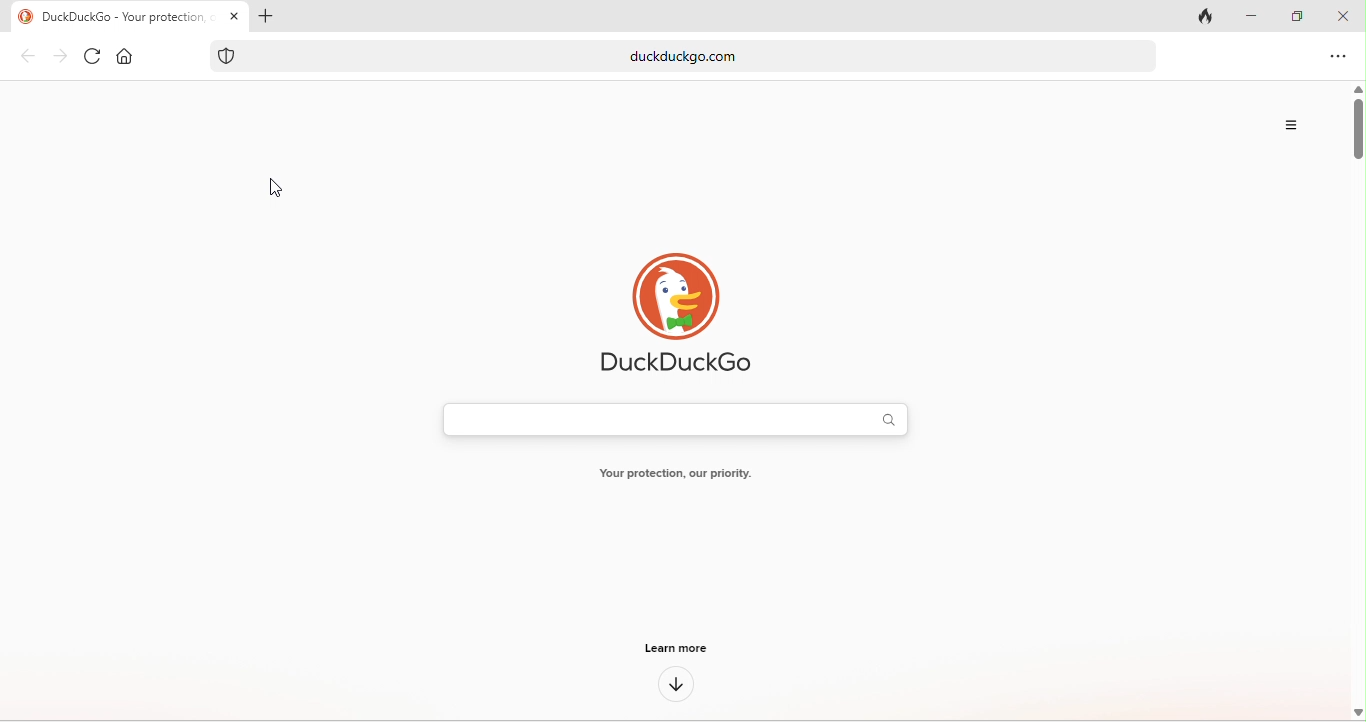 This screenshot has width=1366, height=722. What do you see at coordinates (269, 16) in the screenshot?
I see `add` at bounding box center [269, 16].